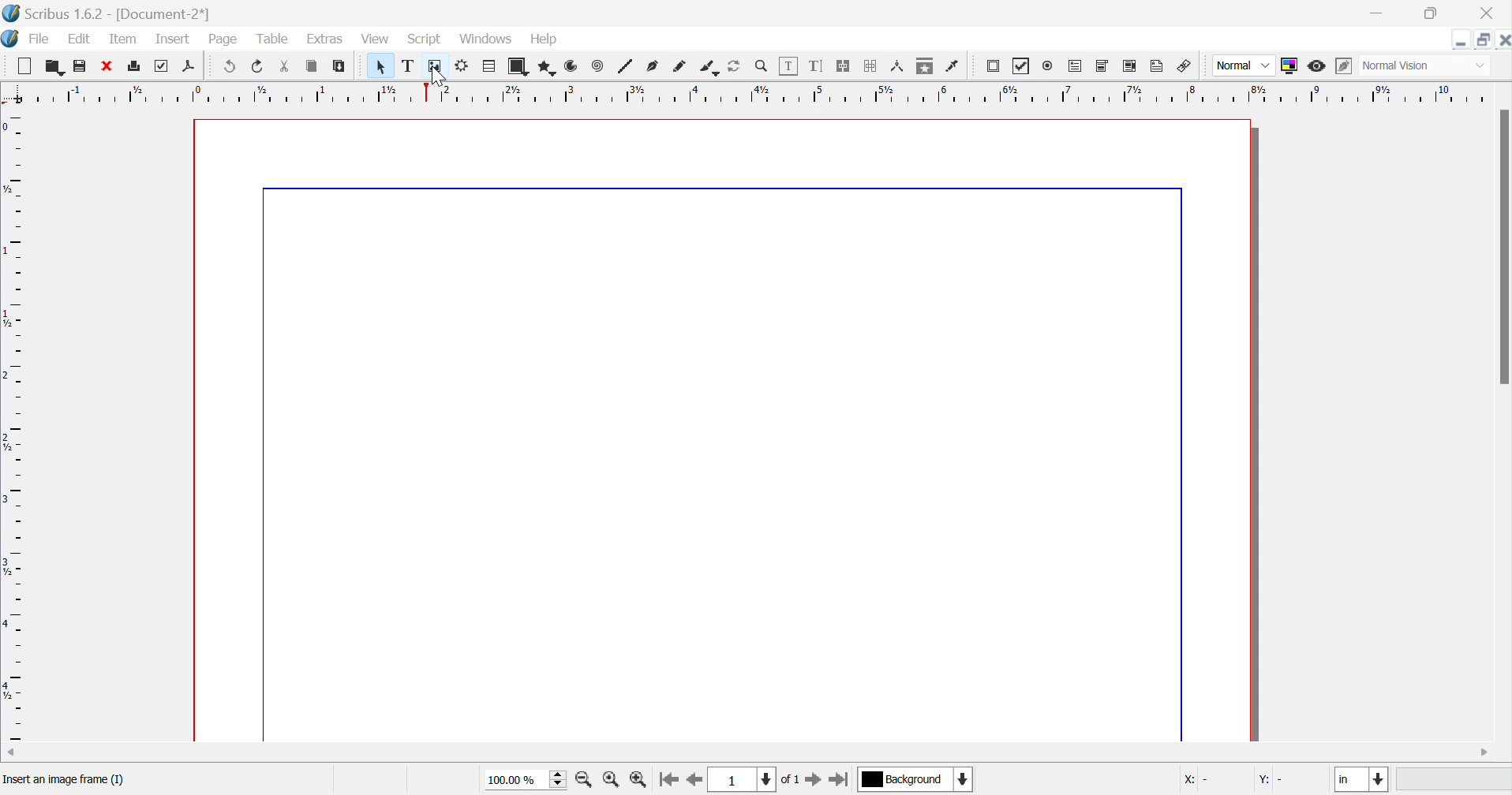 This screenshot has width=1512, height=795. I want to click on cut, so click(283, 66).